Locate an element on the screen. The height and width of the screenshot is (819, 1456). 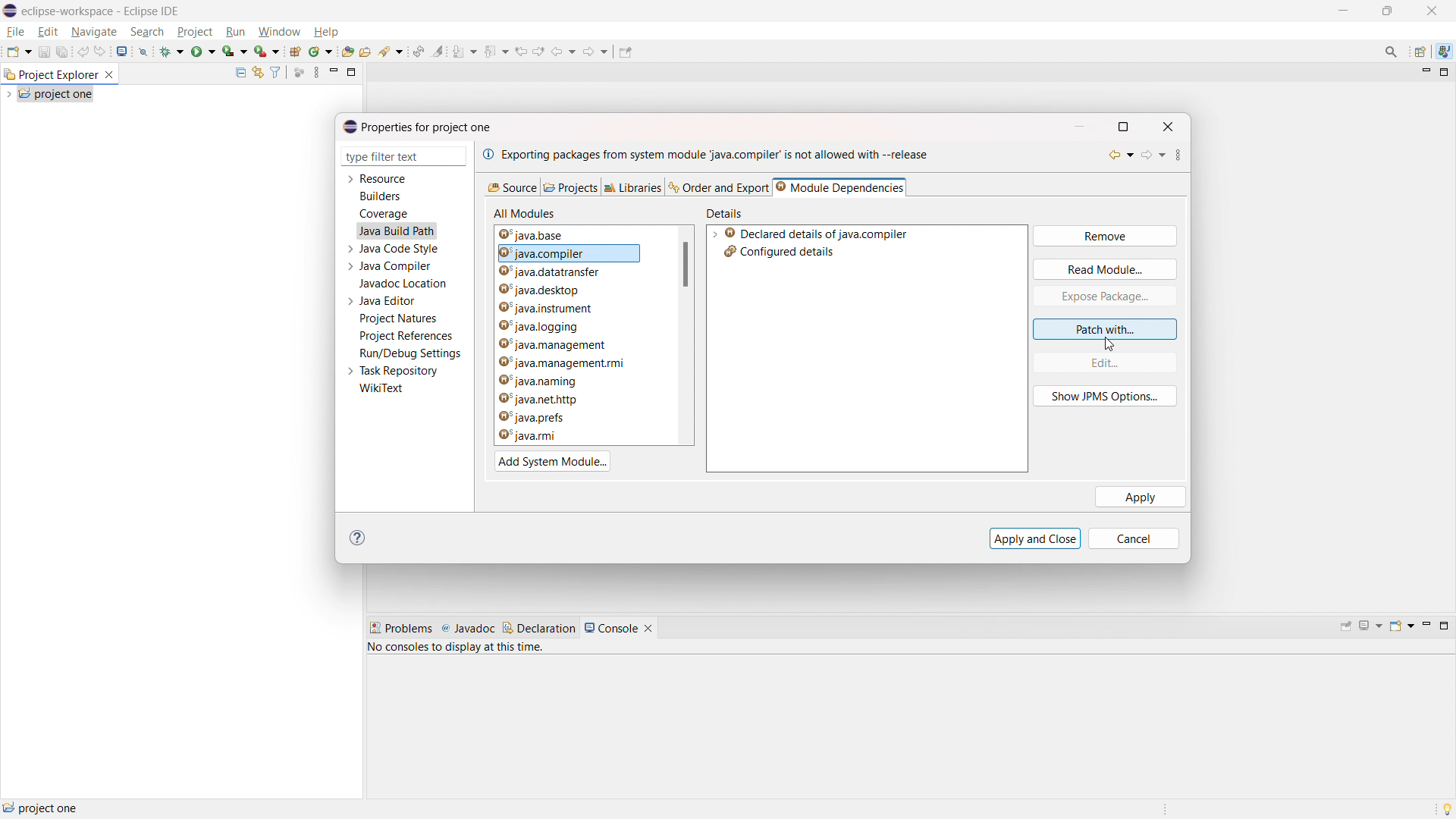
details is located at coordinates (727, 212).